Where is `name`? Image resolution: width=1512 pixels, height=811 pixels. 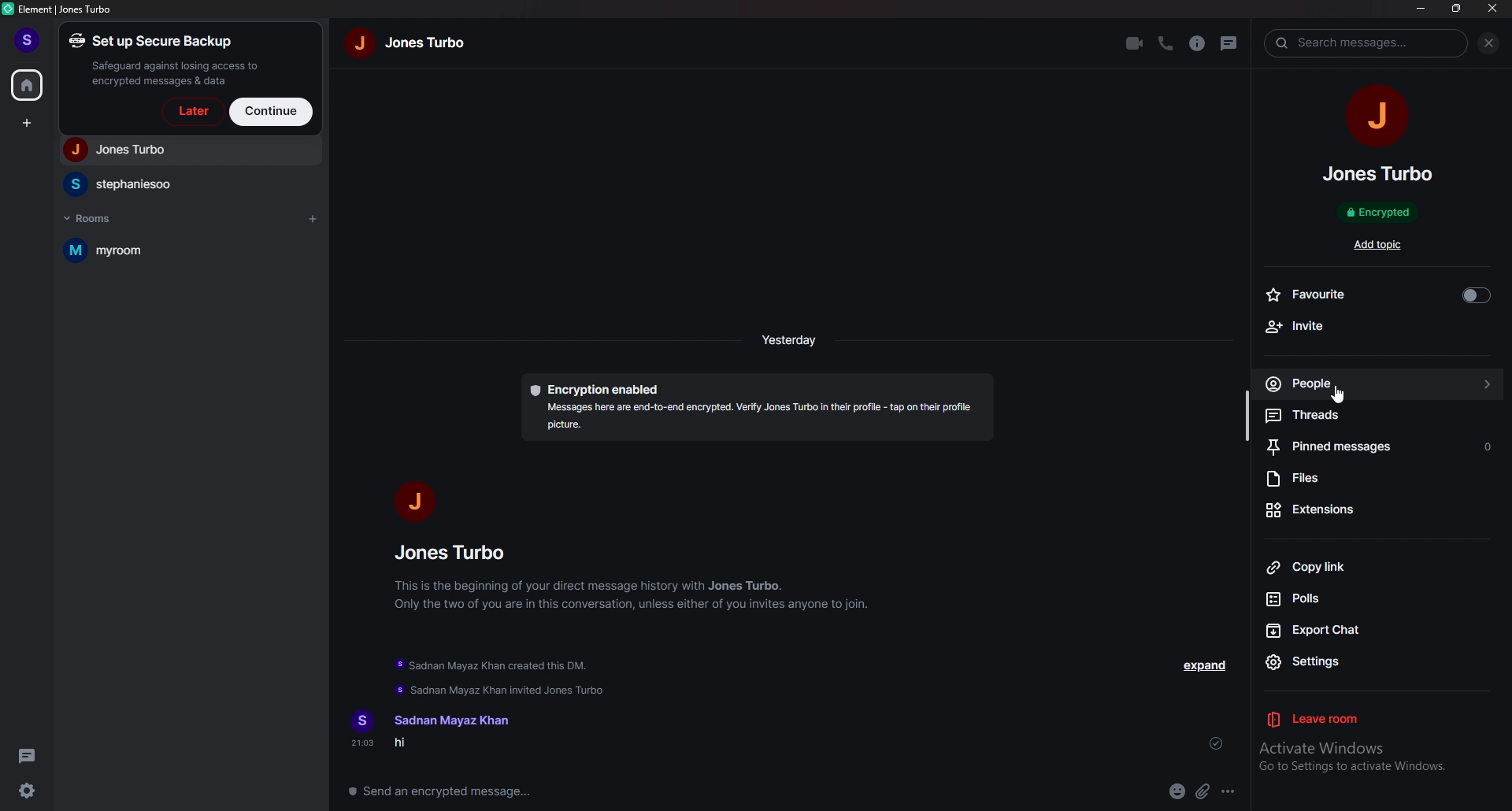 name is located at coordinates (409, 42).